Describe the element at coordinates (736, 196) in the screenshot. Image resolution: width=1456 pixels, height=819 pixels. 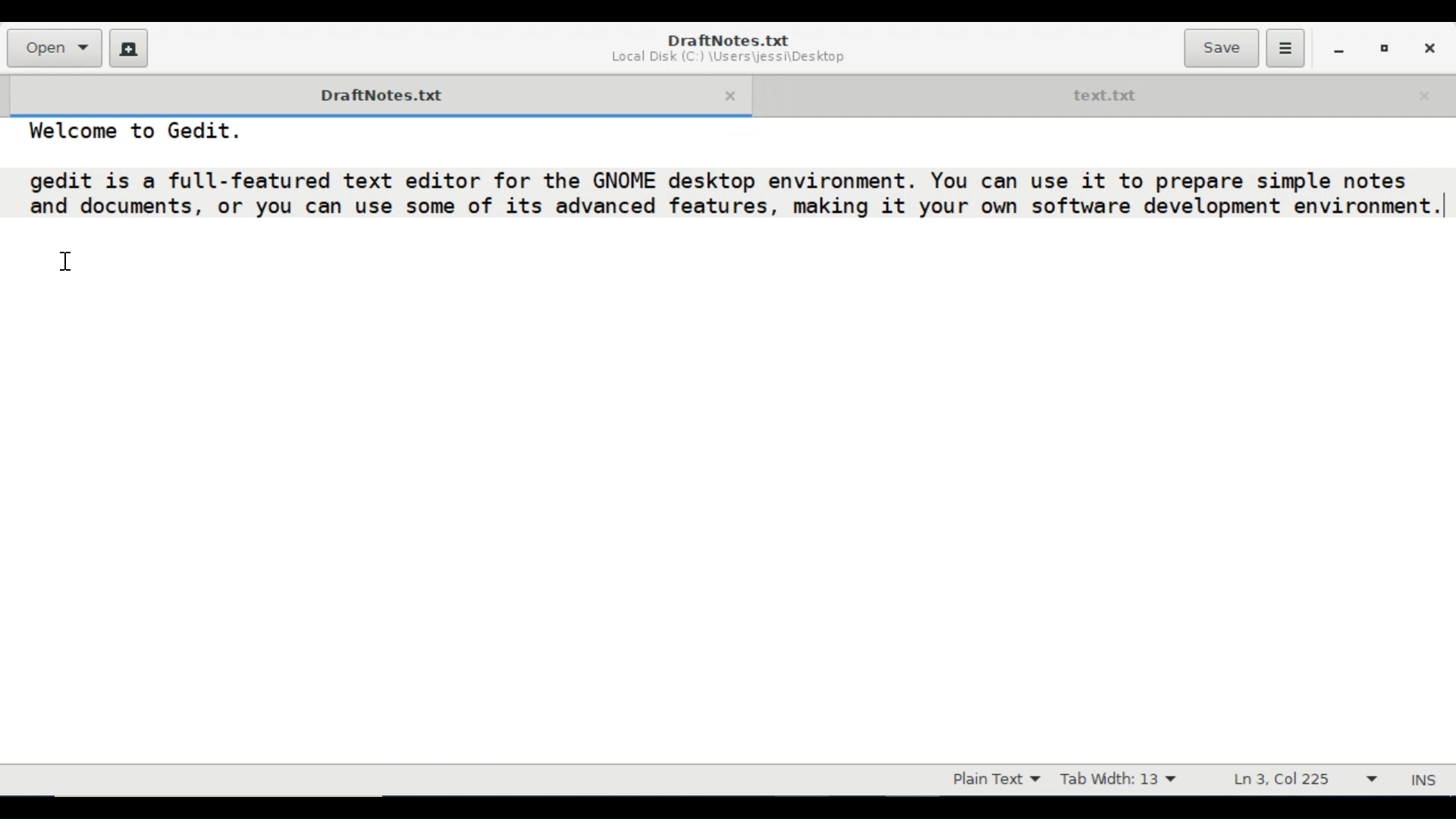
I see `gedit is a full-featured text editor for the GNOME desktop environment. You can use it to prepare simple notes
and documents, or you can use some of its advanced features, making it your own software development environmen` at that location.